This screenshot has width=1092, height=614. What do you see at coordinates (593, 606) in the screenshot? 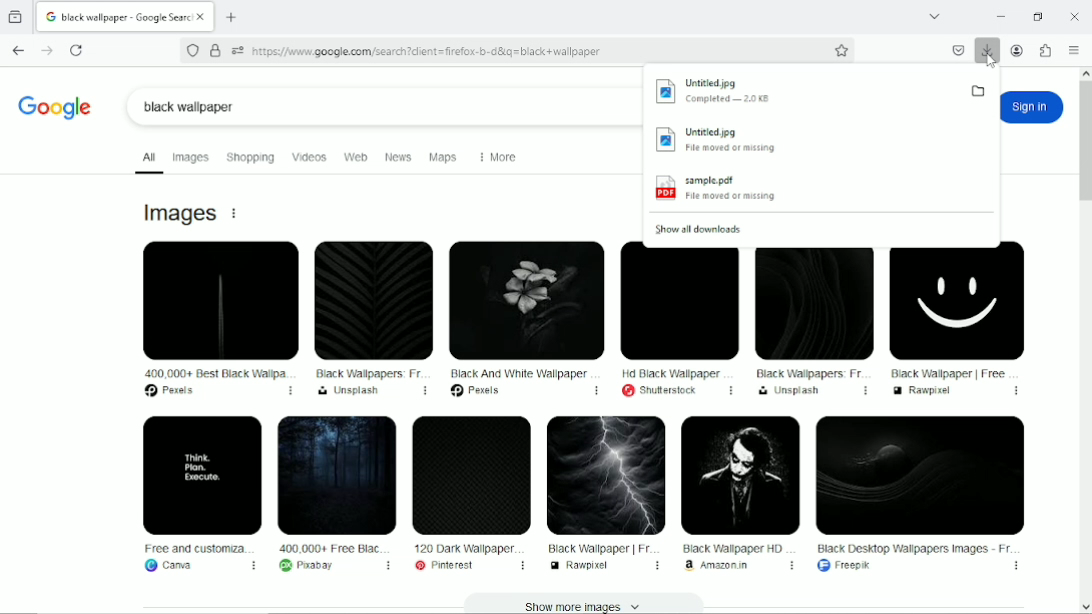
I see `Show more images` at bounding box center [593, 606].